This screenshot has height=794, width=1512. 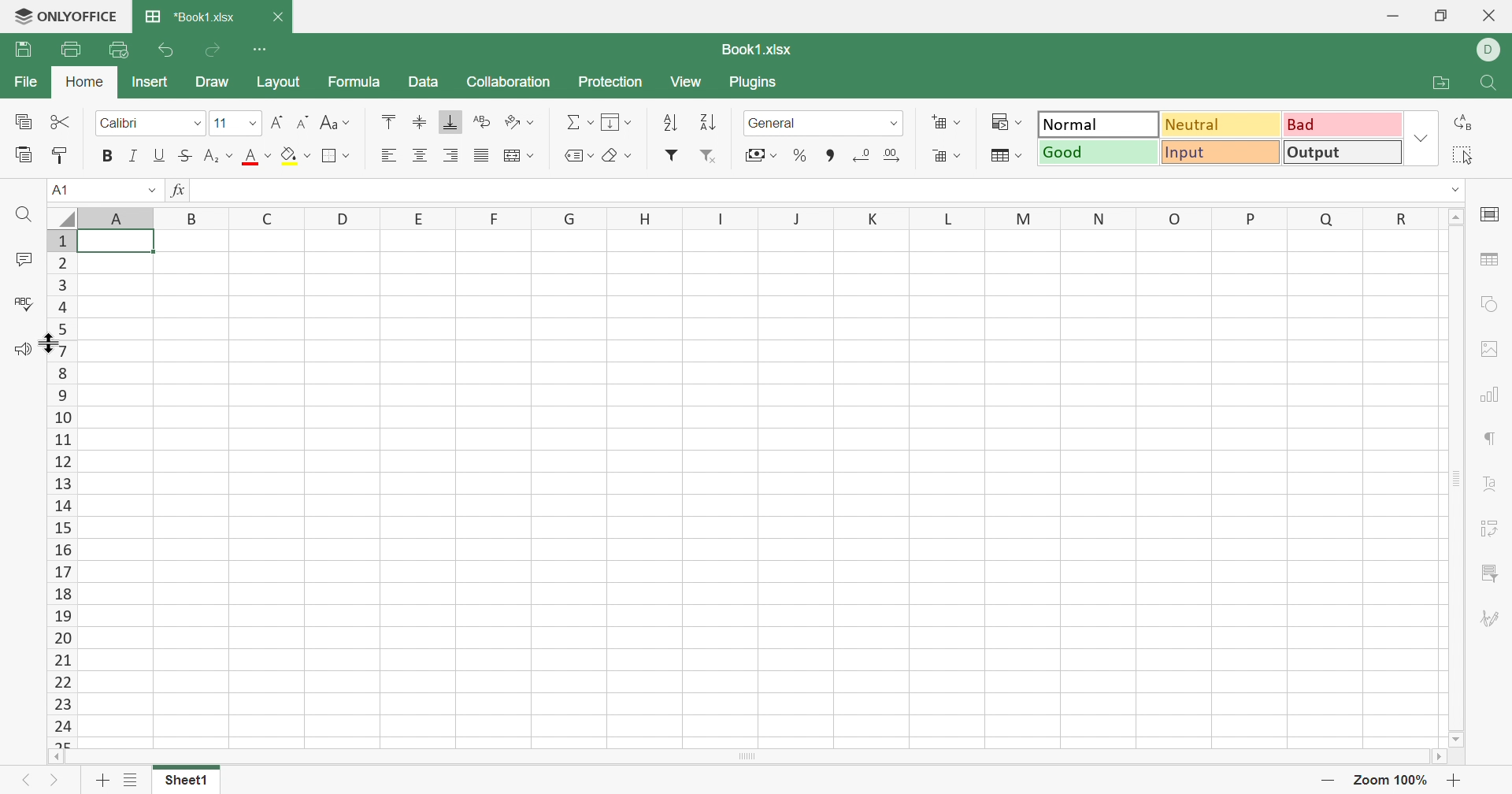 What do you see at coordinates (335, 155) in the screenshot?
I see `Borders` at bounding box center [335, 155].